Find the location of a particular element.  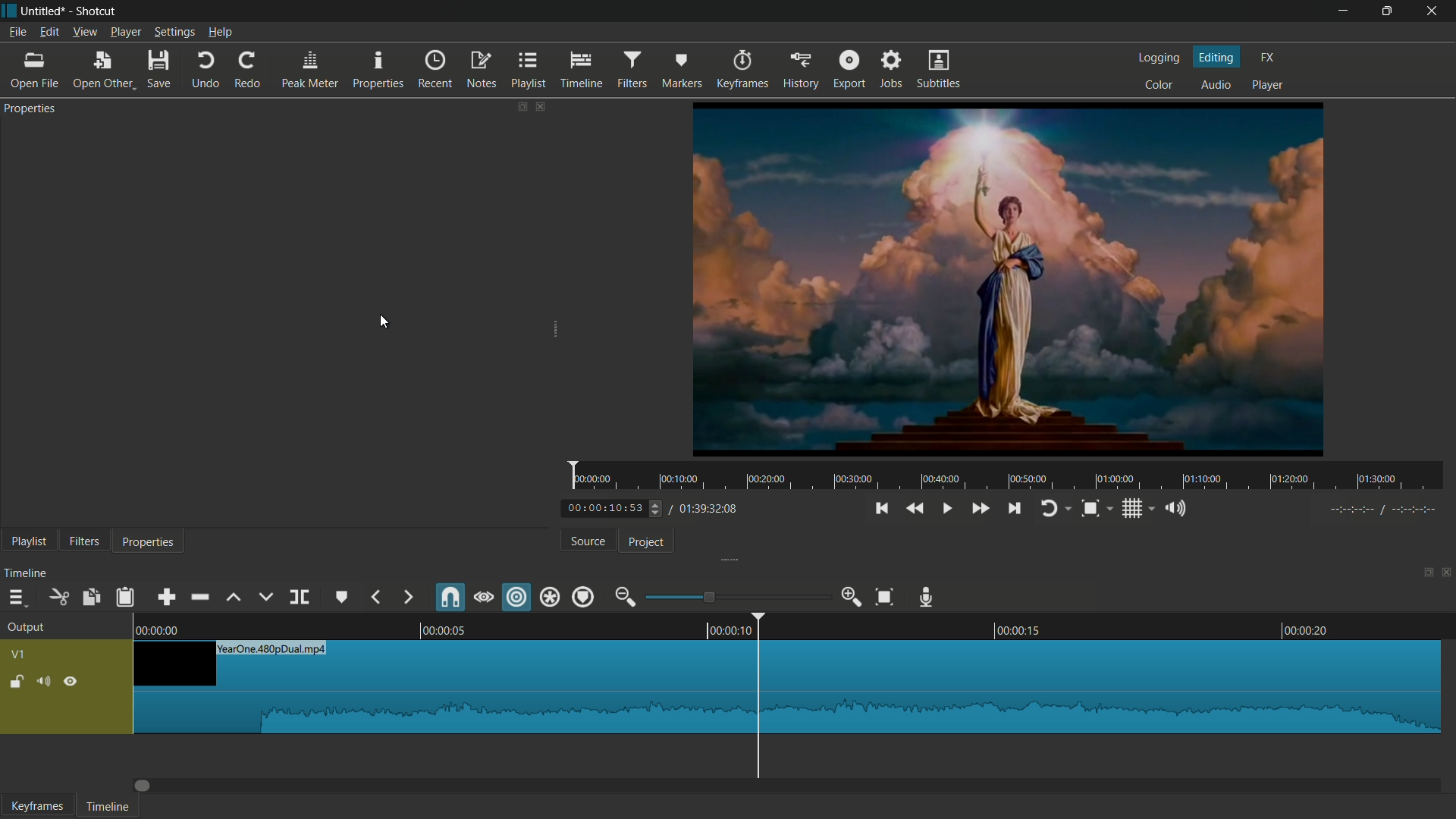

quickly play forward is located at coordinates (981, 509).